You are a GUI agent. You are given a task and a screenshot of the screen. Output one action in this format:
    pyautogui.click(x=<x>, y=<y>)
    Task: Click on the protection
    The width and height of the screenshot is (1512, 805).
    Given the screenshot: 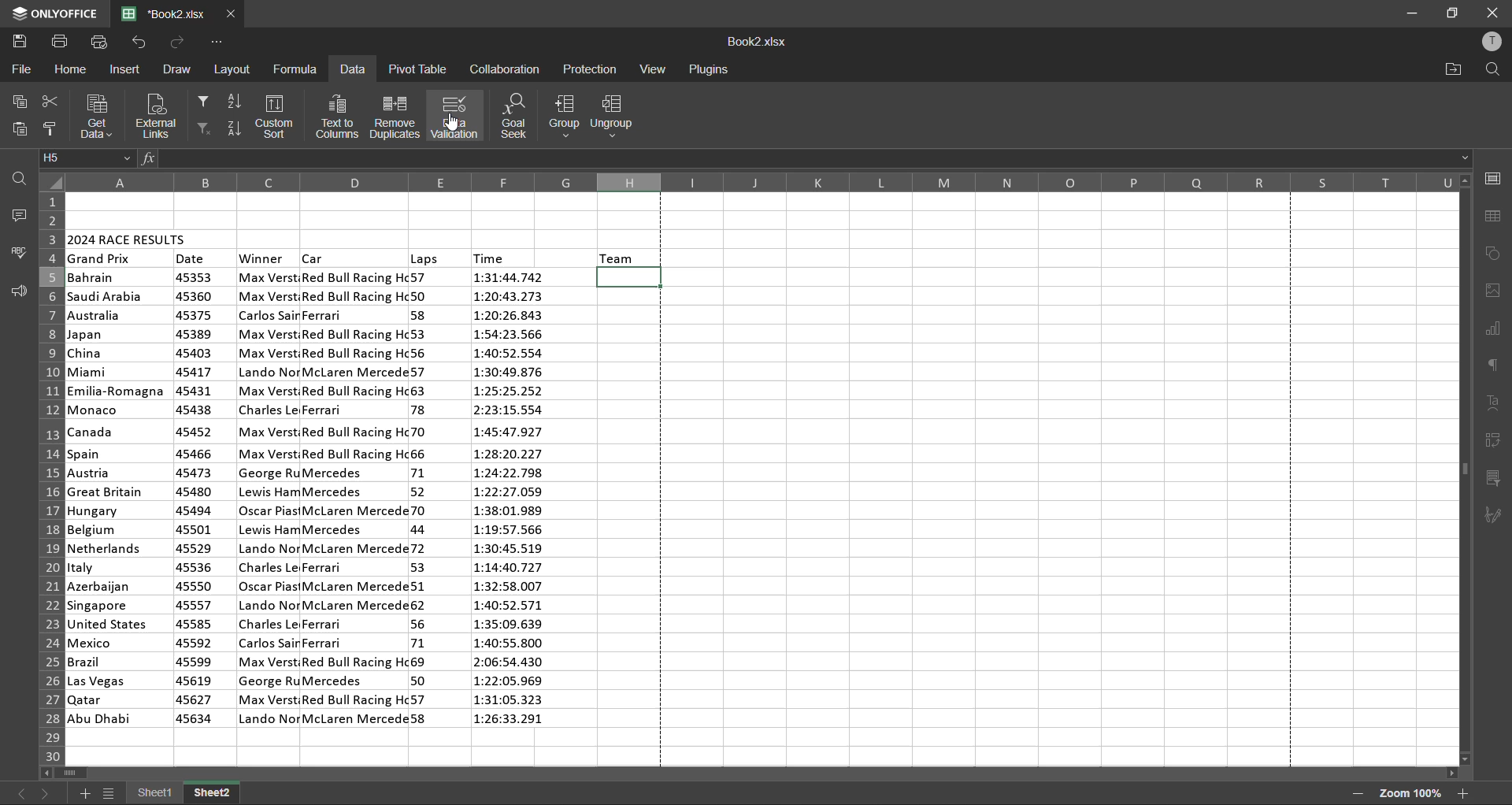 What is the action you would take?
    pyautogui.click(x=591, y=70)
    